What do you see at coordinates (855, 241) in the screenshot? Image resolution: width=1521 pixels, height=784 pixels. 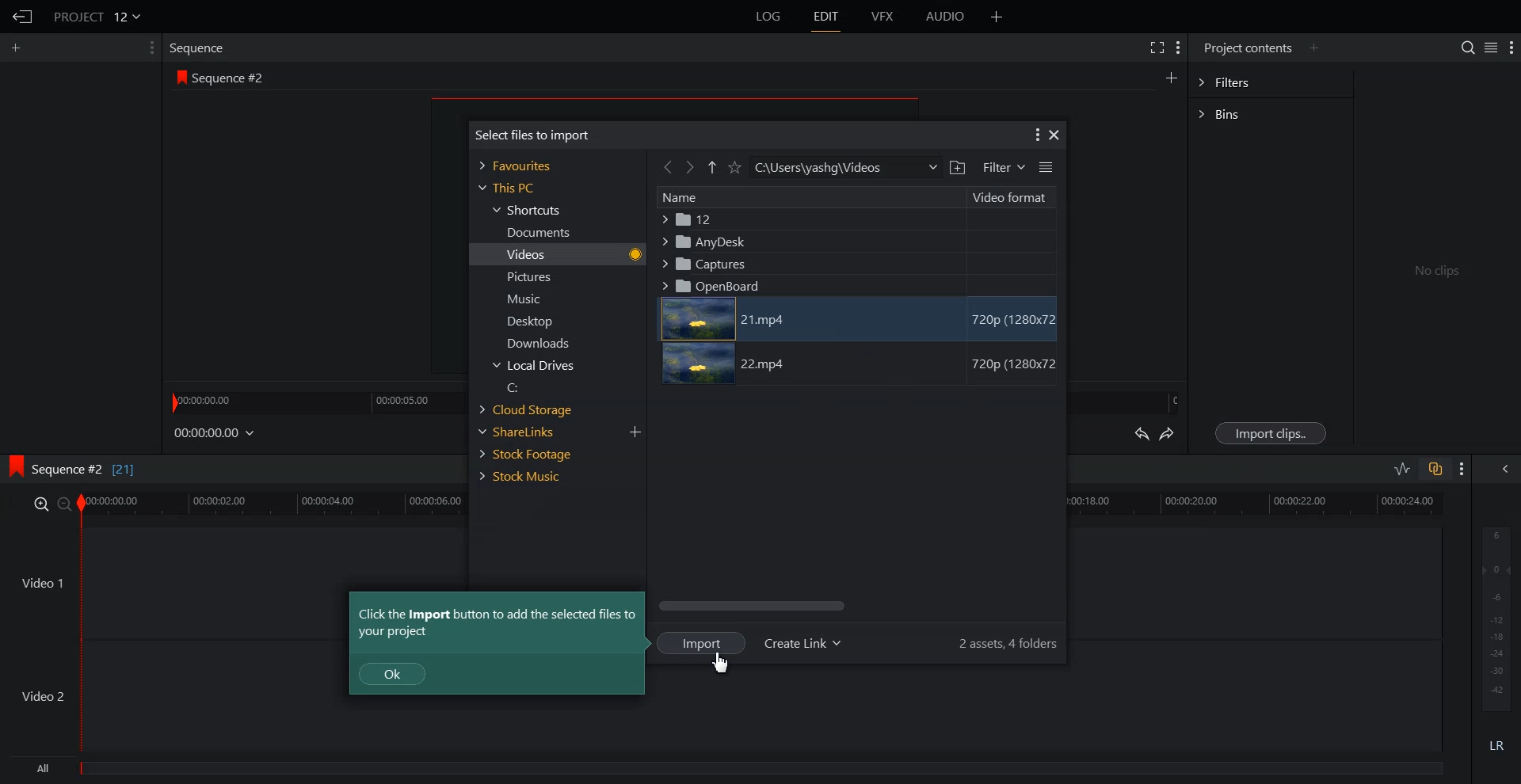 I see `AnyDesk` at bounding box center [855, 241].